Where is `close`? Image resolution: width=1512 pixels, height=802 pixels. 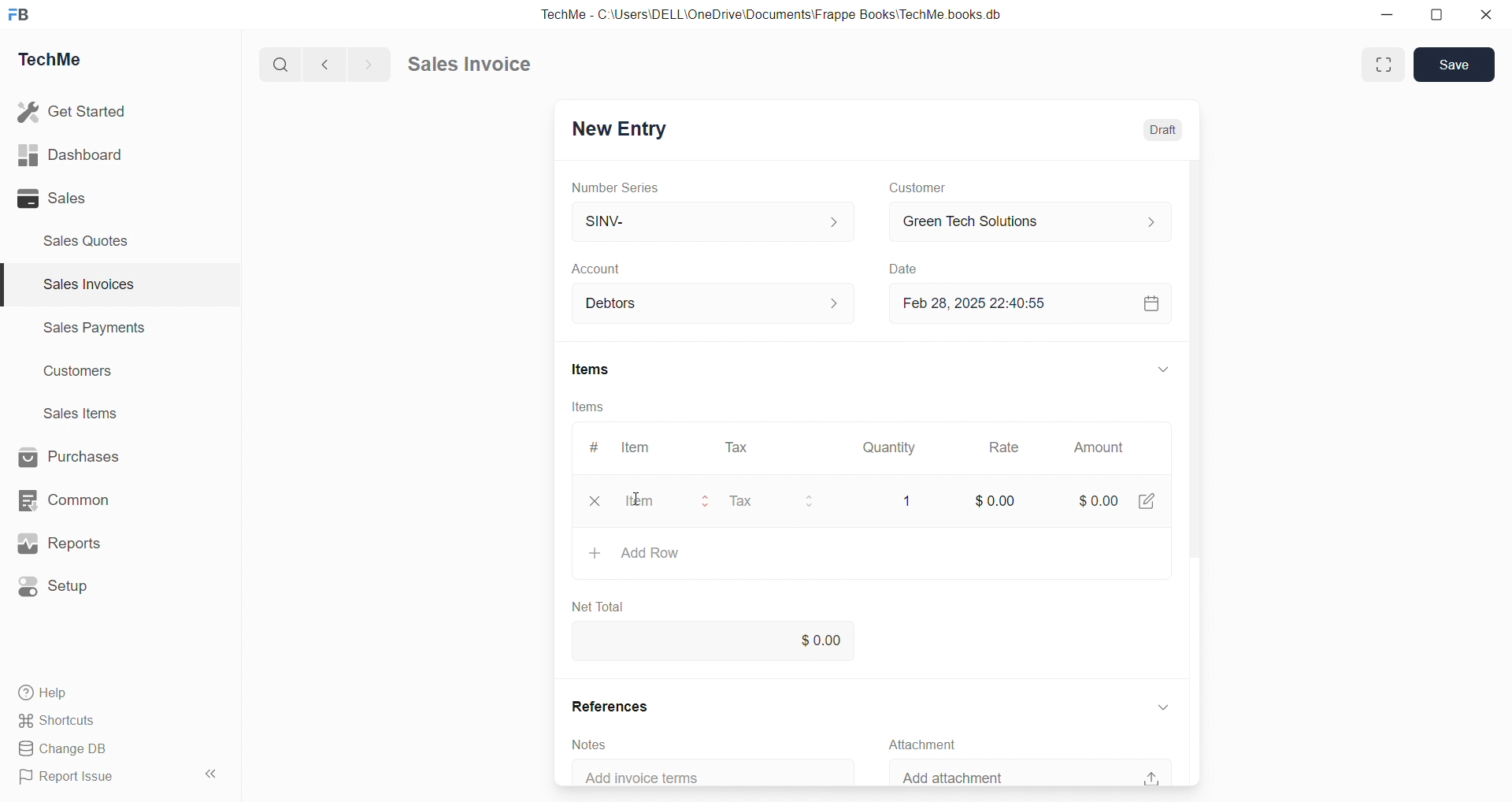
close is located at coordinates (595, 501).